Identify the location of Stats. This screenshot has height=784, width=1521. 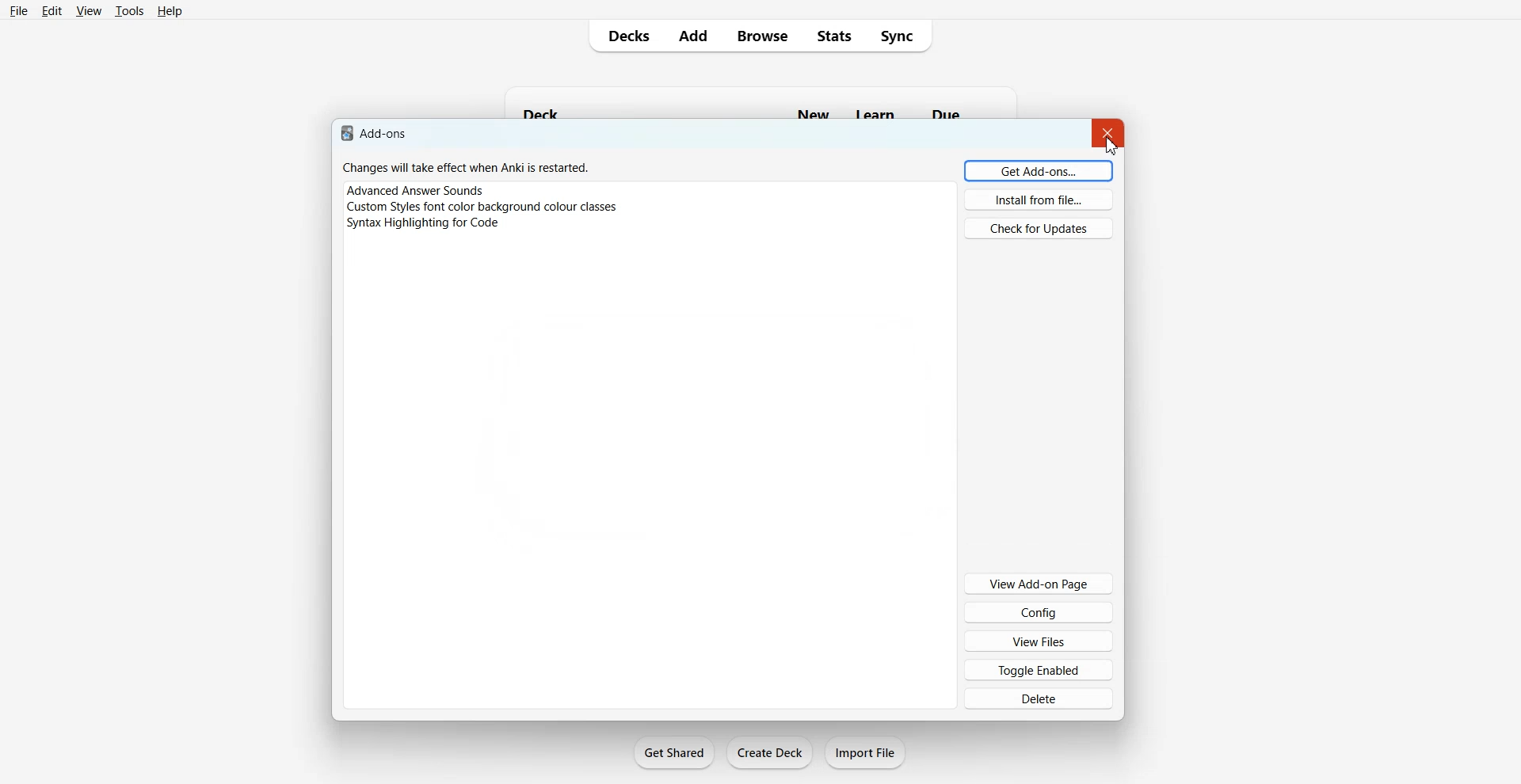
(834, 36).